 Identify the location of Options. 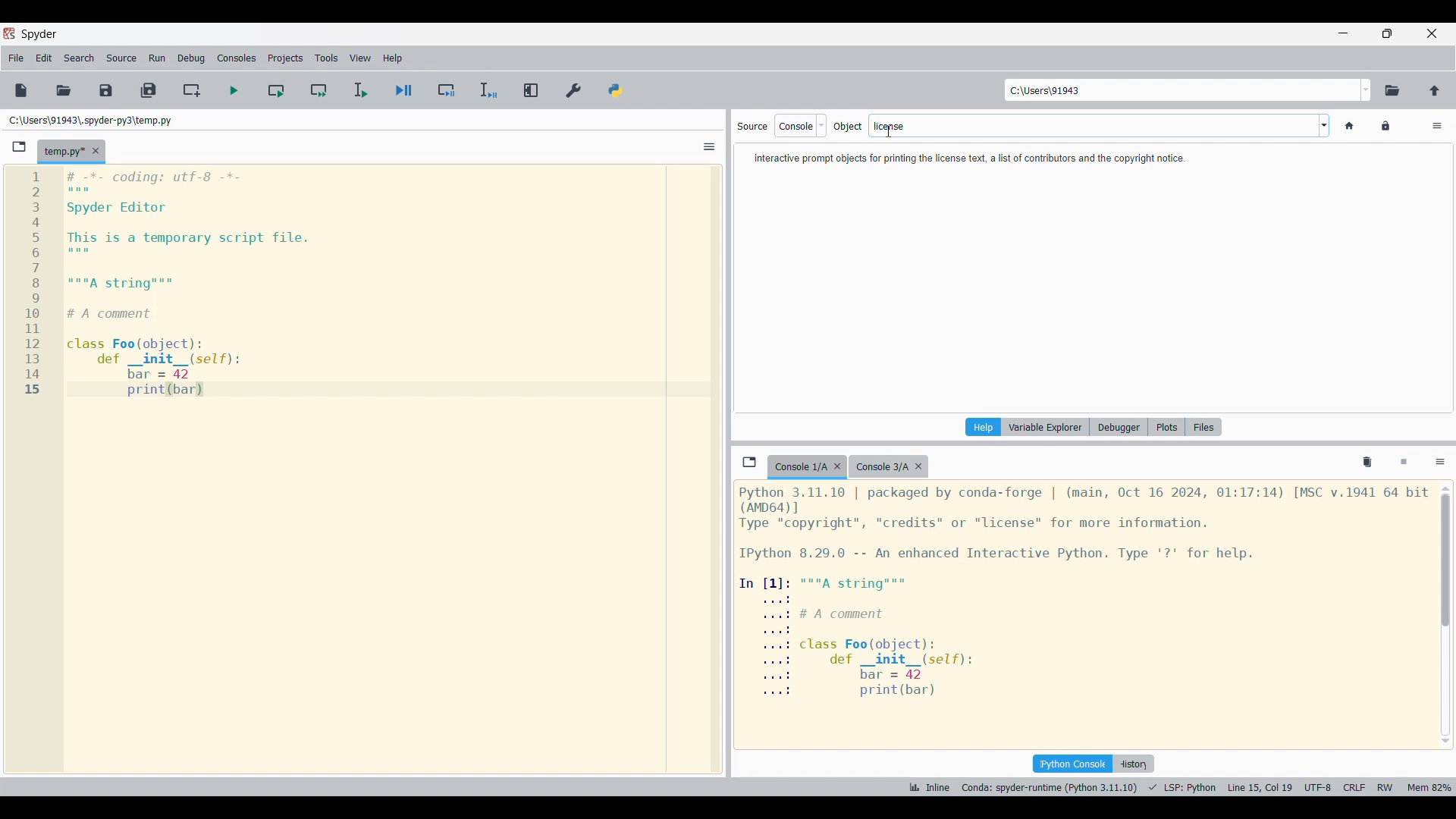
(1441, 463).